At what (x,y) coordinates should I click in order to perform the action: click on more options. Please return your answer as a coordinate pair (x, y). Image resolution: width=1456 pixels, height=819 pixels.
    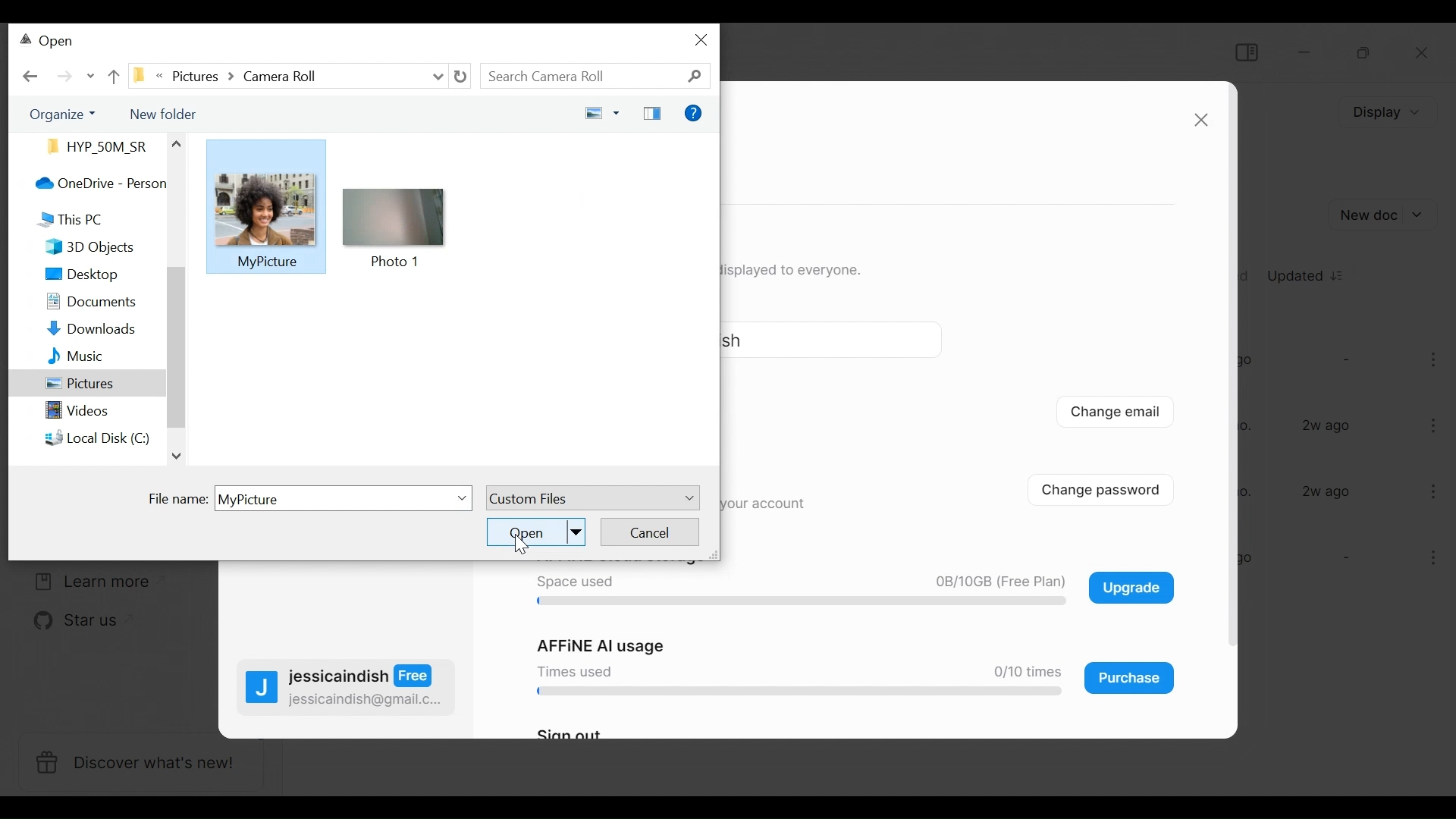
    Looking at the image, I should click on (1435, 424).